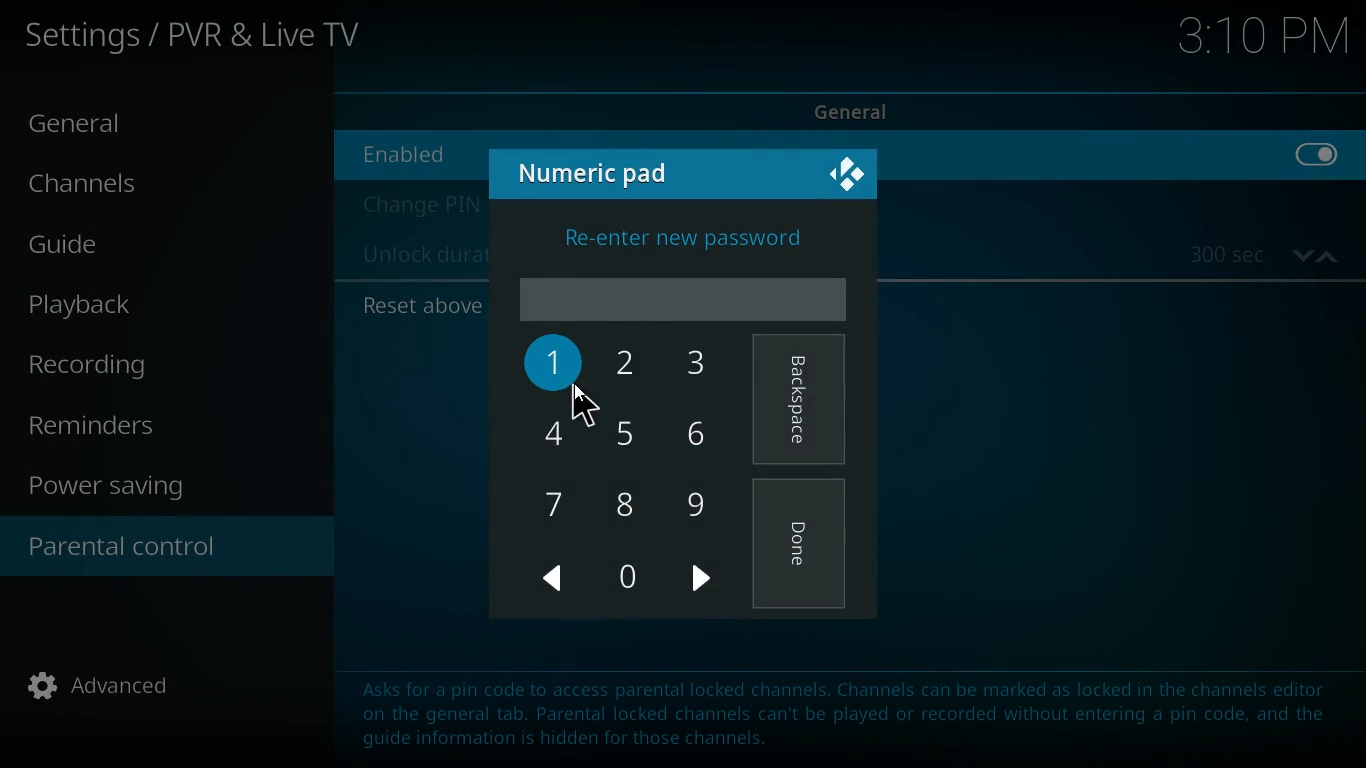 Image resolution: width=1366 pixels, height=768 pixels. I want to click on password, so click(689, 298).